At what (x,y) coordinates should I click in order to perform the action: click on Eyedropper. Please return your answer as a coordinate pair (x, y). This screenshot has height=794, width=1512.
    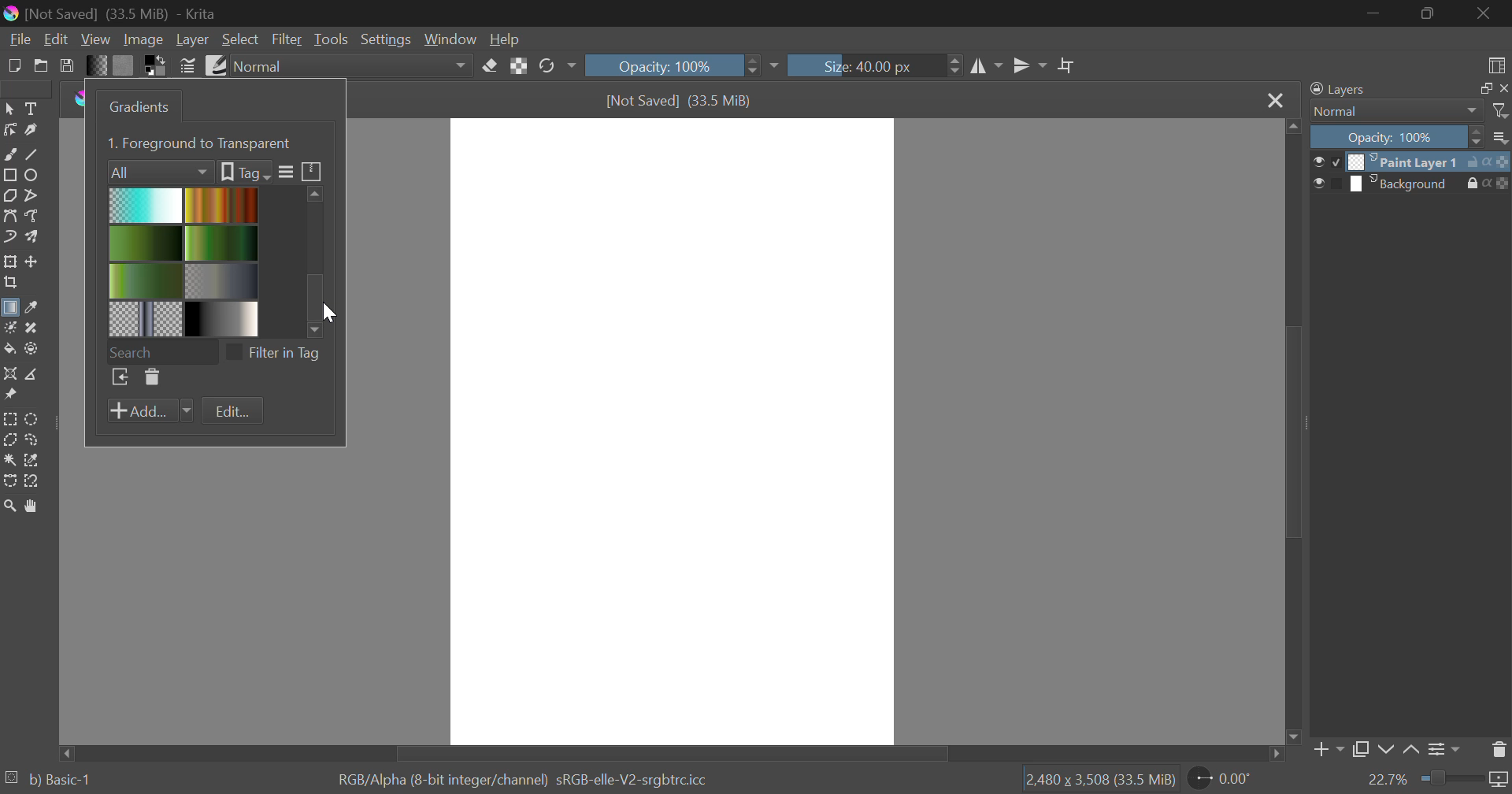
    Looking at the image, I should click on (30, 309).